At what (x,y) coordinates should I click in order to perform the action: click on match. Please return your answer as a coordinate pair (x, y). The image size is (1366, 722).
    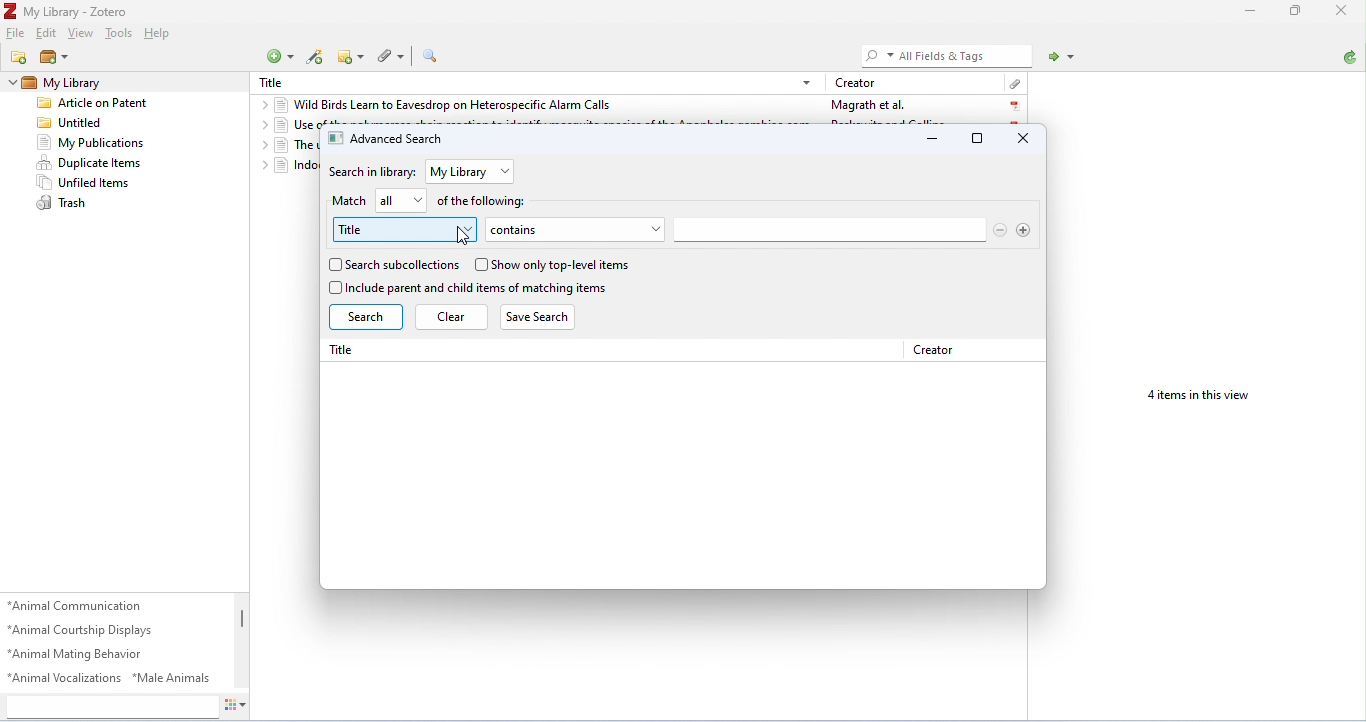
    Looking at the image, I should click on (352, 201).